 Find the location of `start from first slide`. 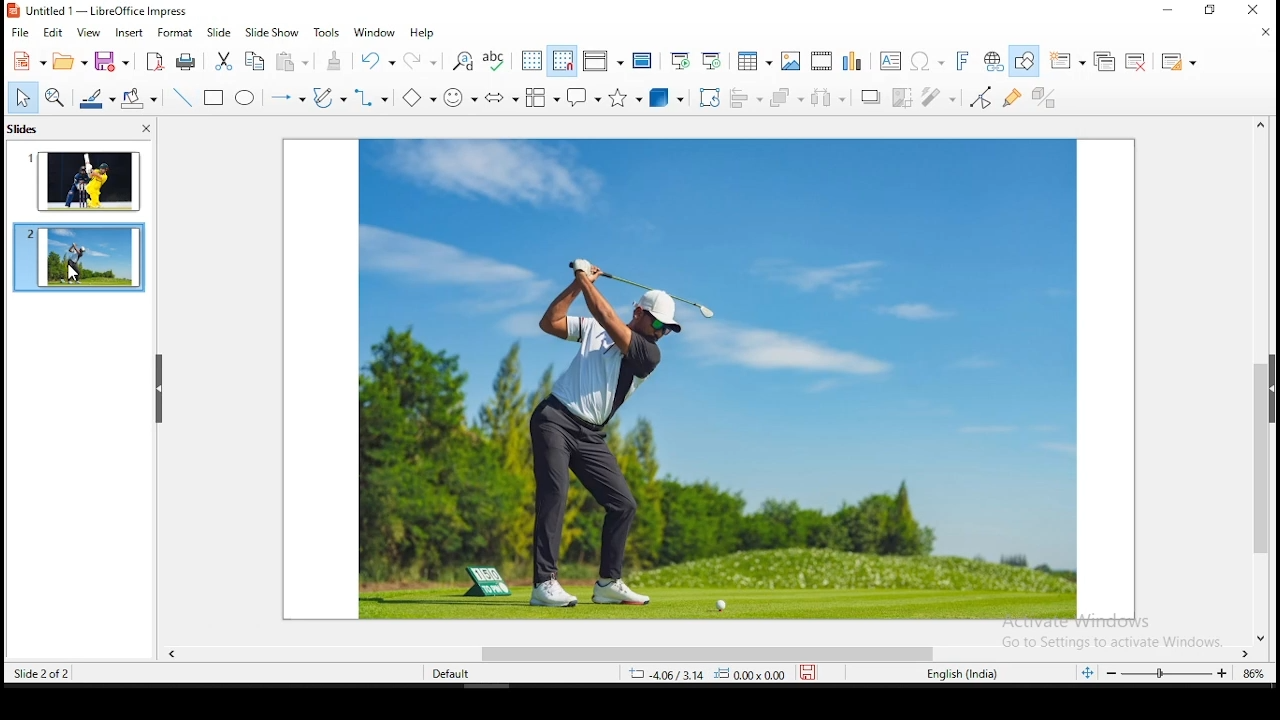

start from first slide is located at coordinates (681, 60).